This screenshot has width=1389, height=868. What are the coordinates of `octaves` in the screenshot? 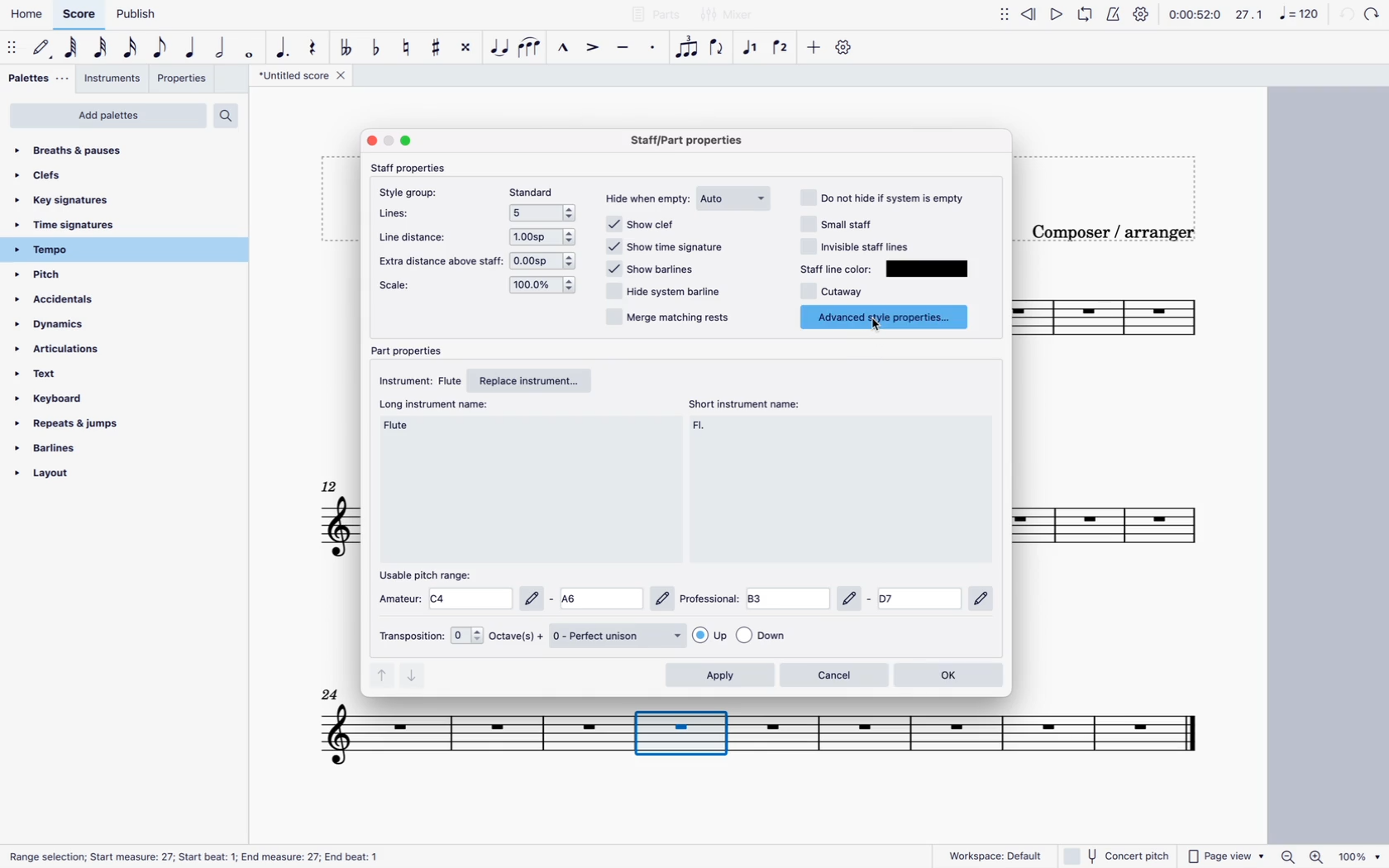 It's located at (498, 637).